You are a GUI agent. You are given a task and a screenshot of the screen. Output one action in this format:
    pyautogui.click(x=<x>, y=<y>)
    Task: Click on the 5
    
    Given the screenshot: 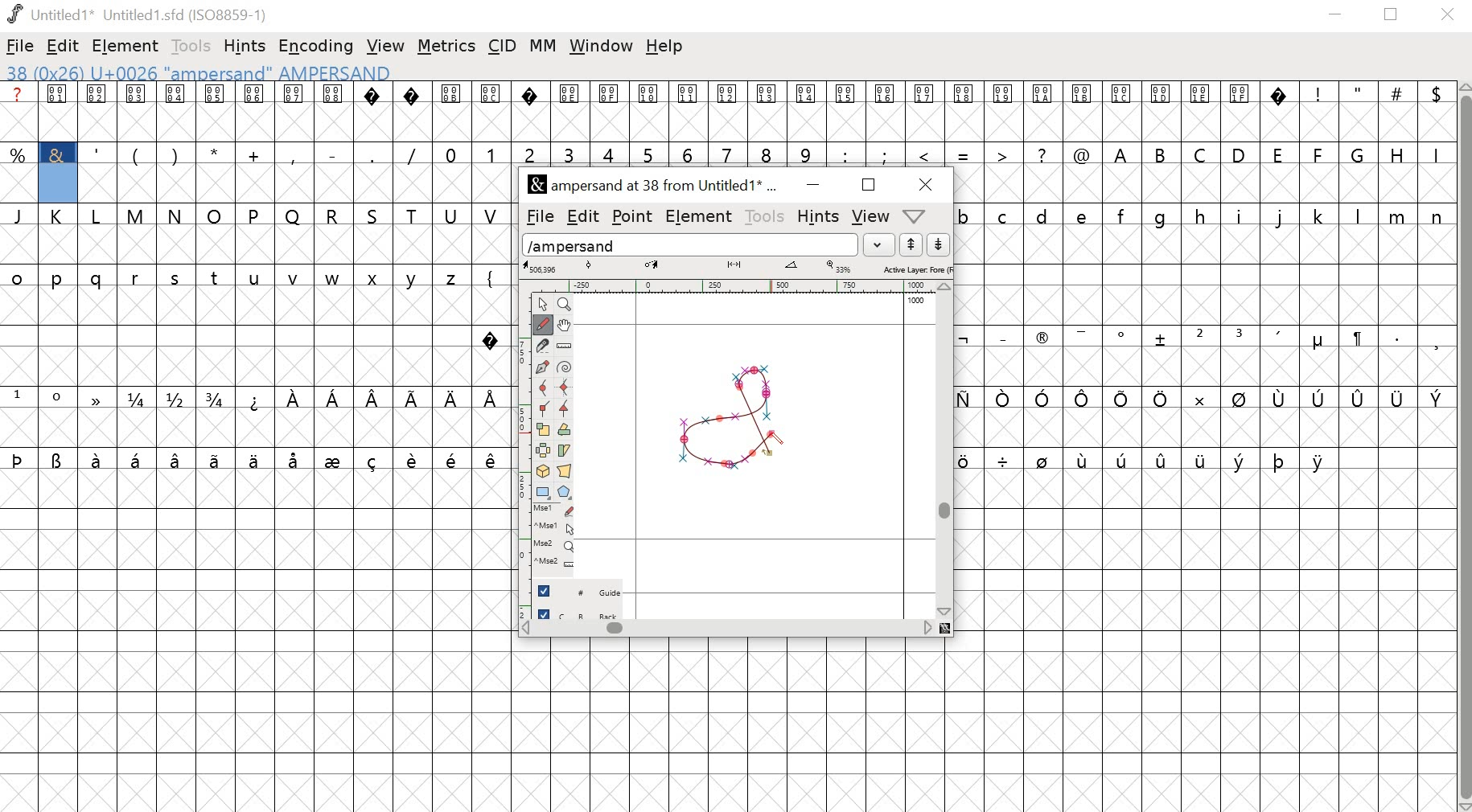 What is the action you would take?
    pyautogui.click(x=648, y=154)
    